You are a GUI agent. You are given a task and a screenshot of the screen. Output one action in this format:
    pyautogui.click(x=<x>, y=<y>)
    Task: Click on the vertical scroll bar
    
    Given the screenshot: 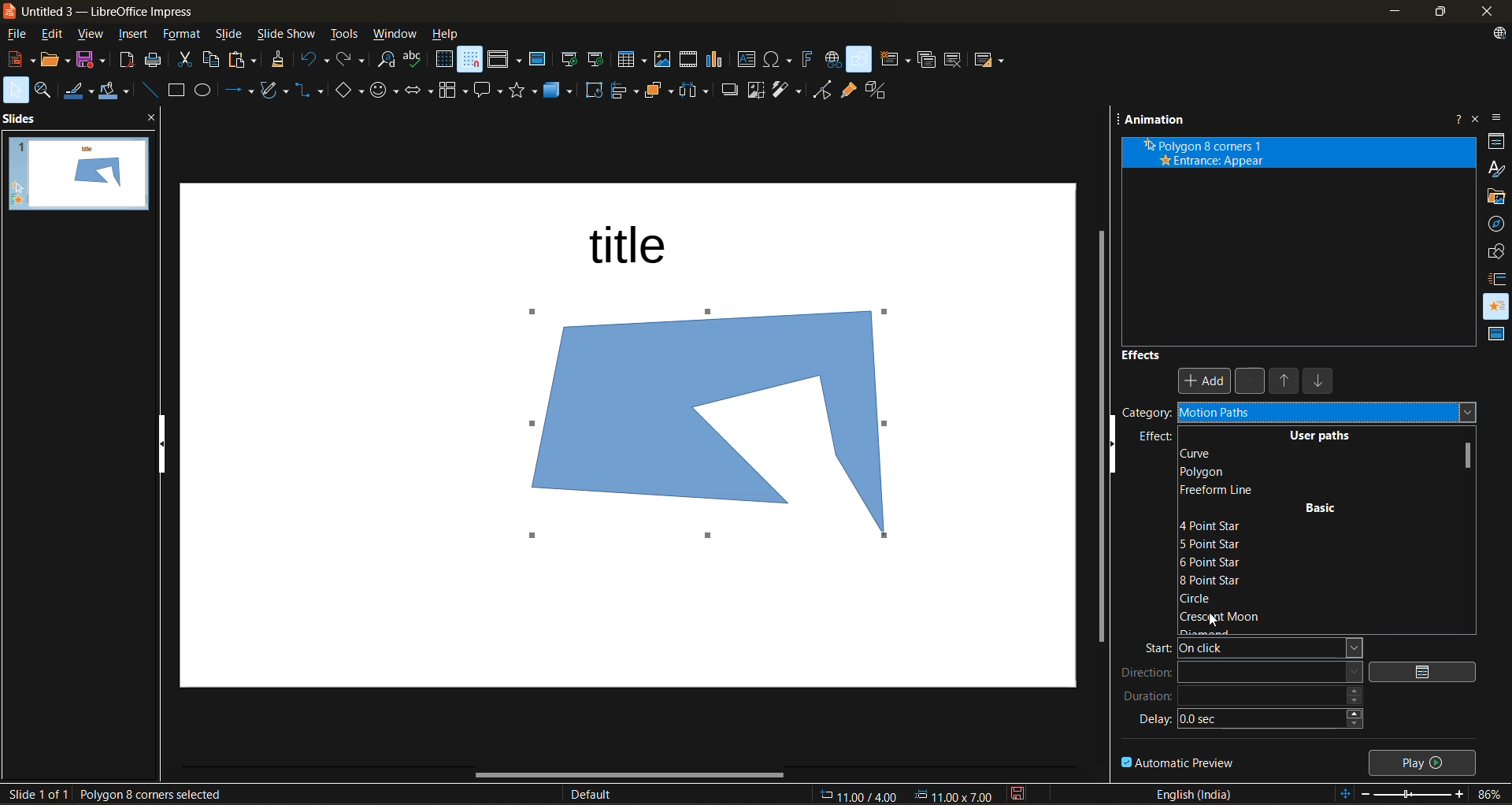 What is the action you would take?
    pyautogui.click(x=1096, y=434)
    